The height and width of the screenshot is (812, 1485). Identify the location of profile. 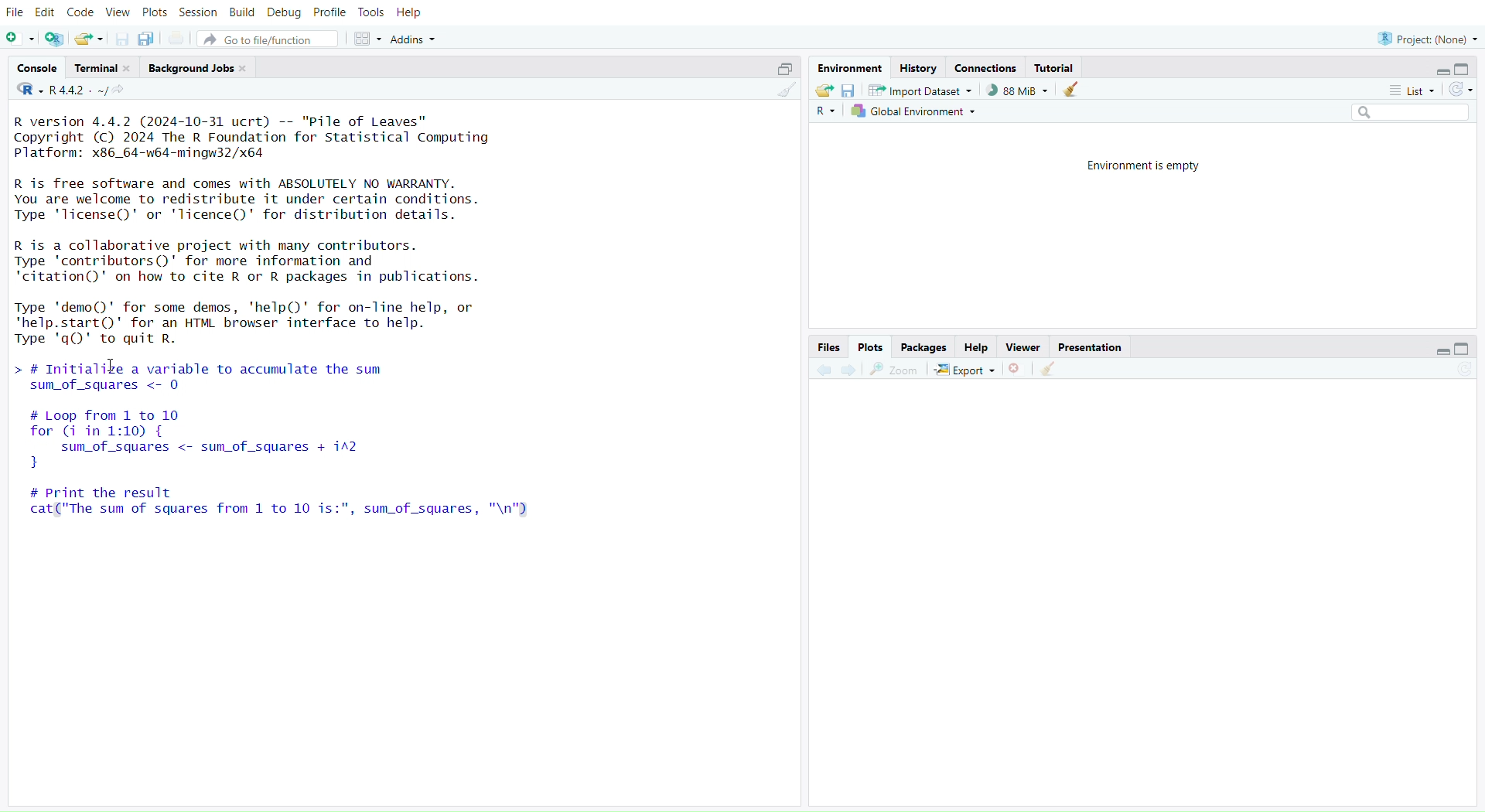
(330, 12).